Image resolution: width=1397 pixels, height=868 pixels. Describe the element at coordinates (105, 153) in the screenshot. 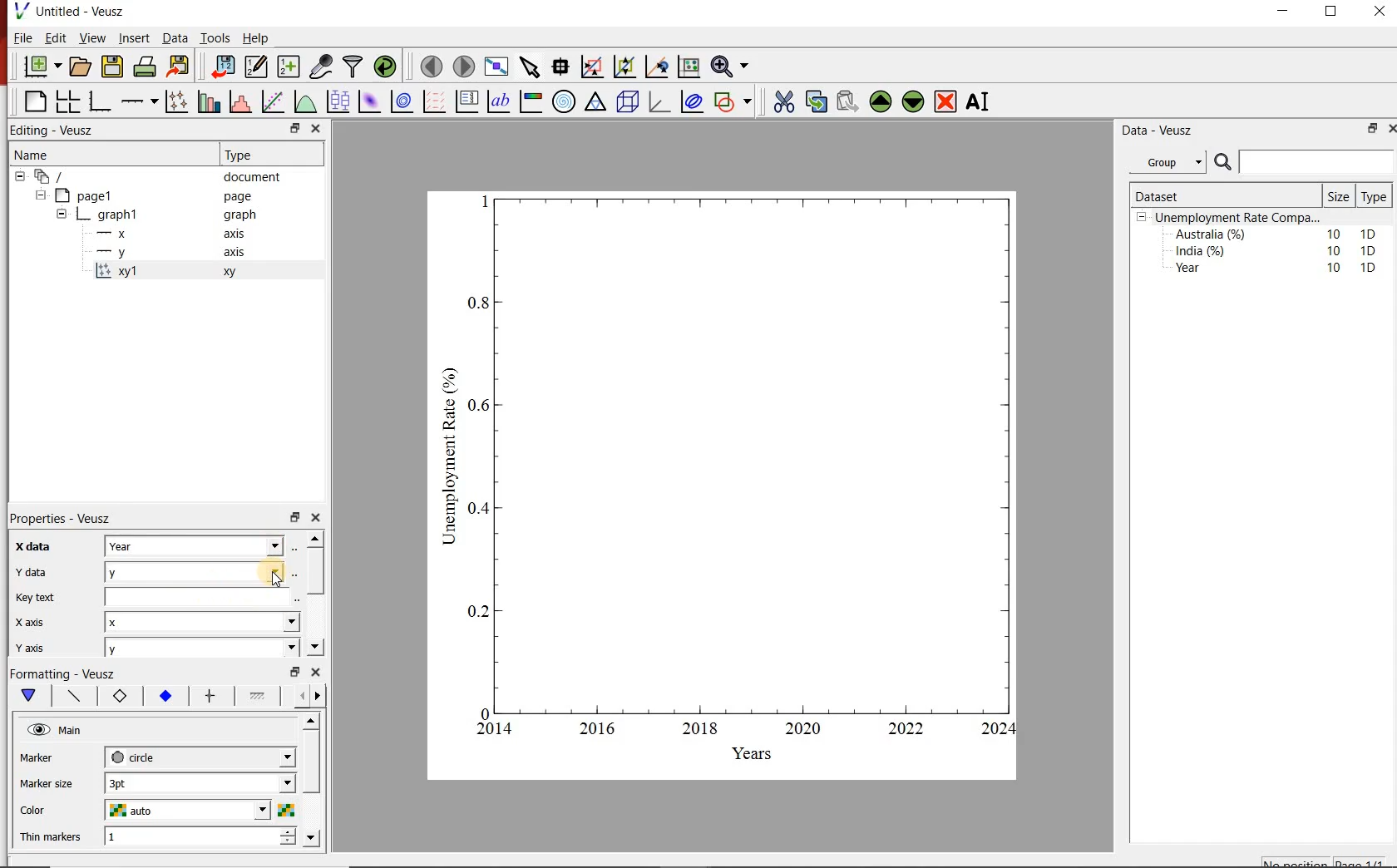

I see `Name` at that location.